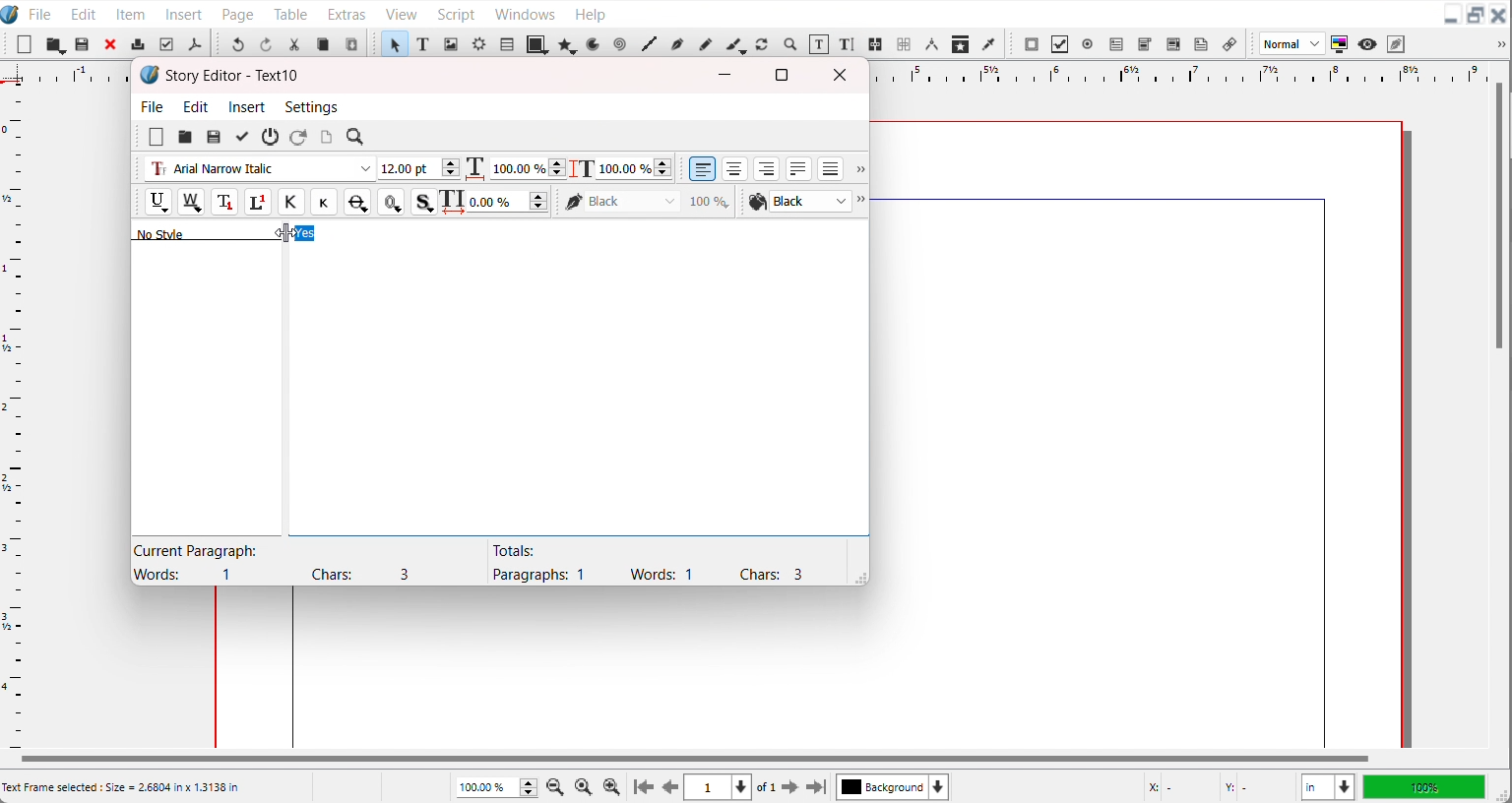 Image resolution: width=1512 pixels, height=803 pixels. What do you see at coordinates (184, 138) in the screenshot?
I see `open` at bounding box center [184, 138].